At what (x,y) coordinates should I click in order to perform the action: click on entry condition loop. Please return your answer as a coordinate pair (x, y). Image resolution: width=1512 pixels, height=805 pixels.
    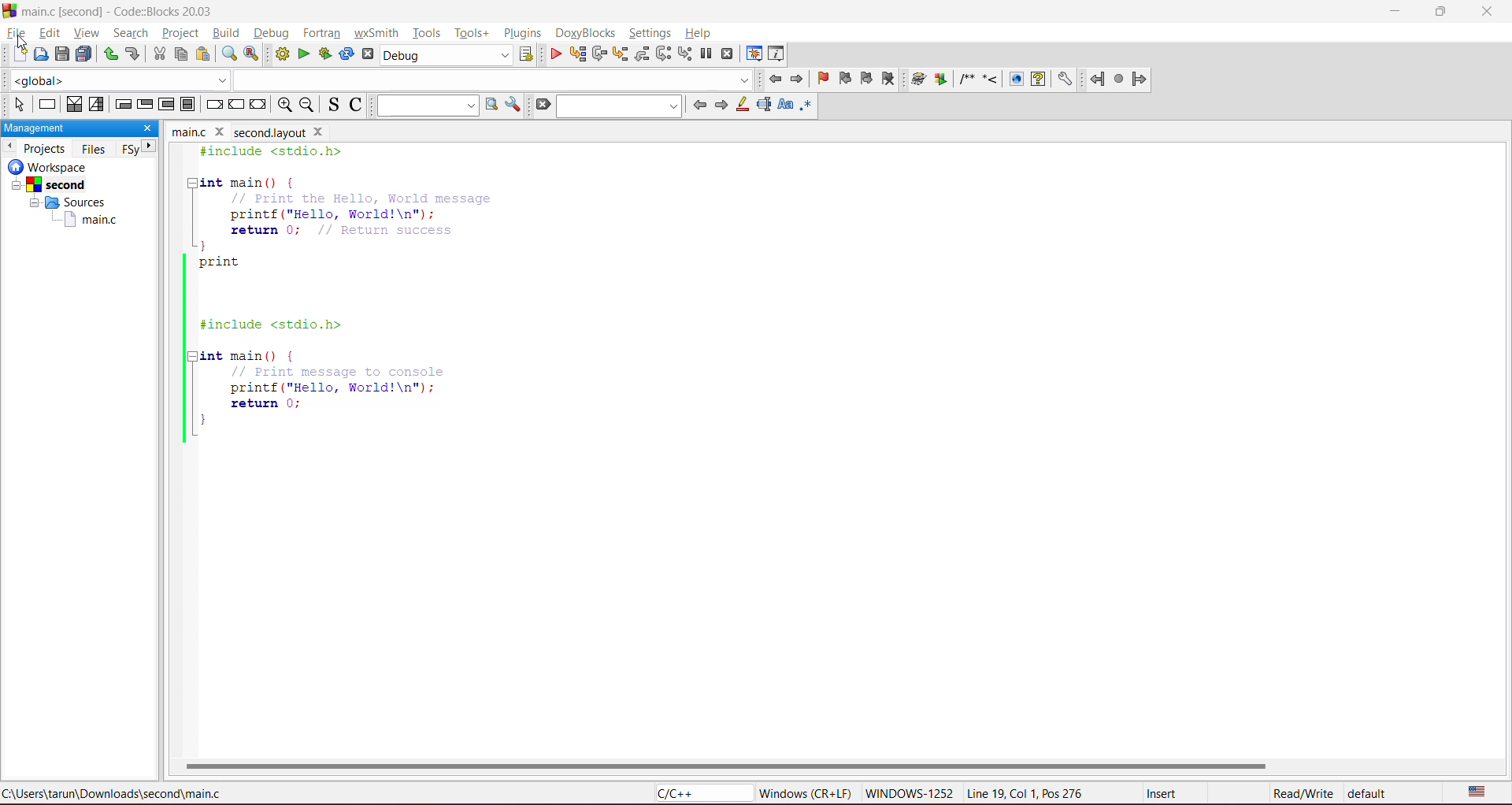
    Looking at the image, I should click on (125, 106).